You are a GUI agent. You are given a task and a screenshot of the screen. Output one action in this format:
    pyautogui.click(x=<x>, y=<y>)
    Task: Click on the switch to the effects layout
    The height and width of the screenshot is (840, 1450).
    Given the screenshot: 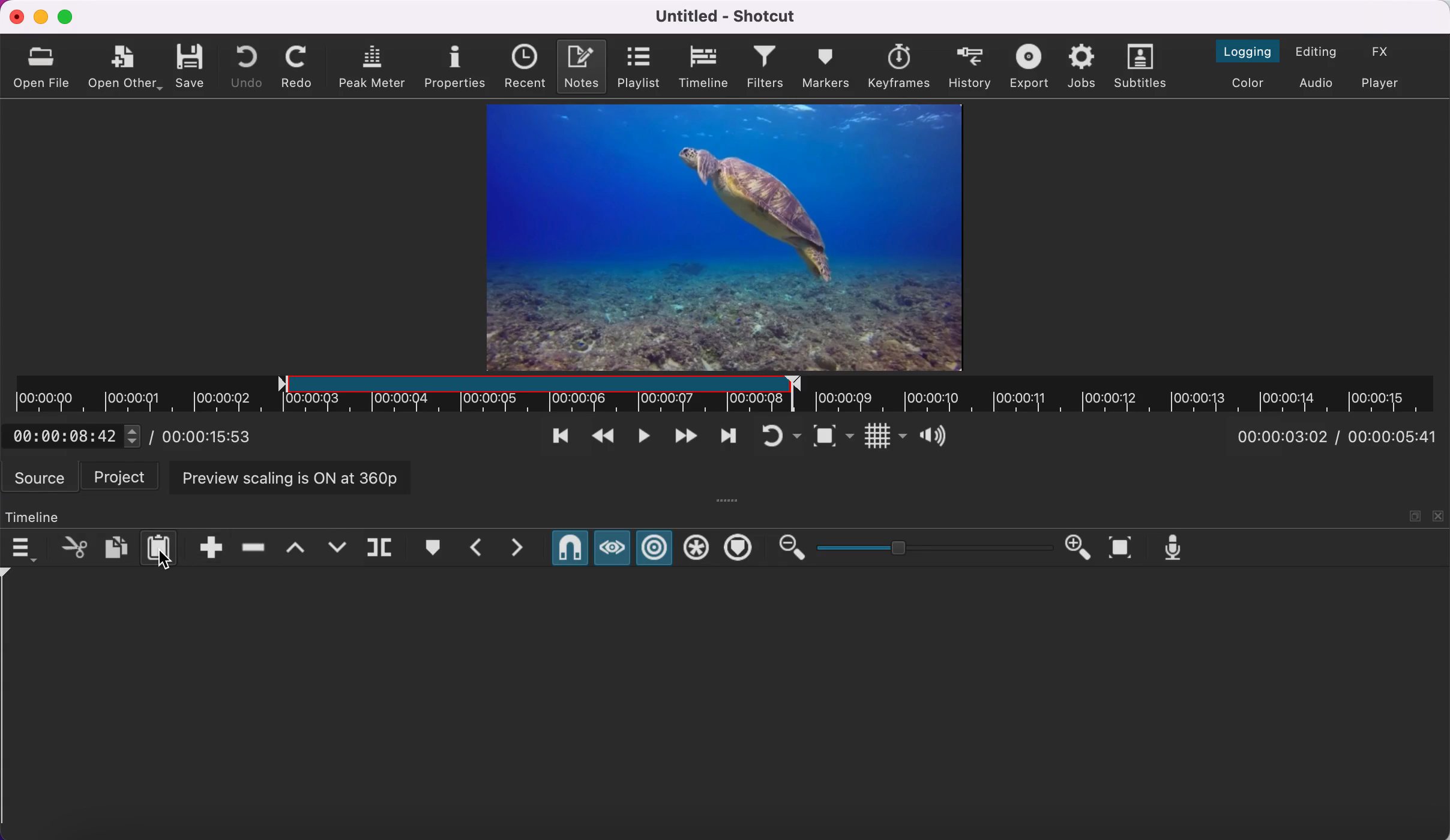 What is the action you would take?
    pyautogui.click(x=1384, y=53)
    